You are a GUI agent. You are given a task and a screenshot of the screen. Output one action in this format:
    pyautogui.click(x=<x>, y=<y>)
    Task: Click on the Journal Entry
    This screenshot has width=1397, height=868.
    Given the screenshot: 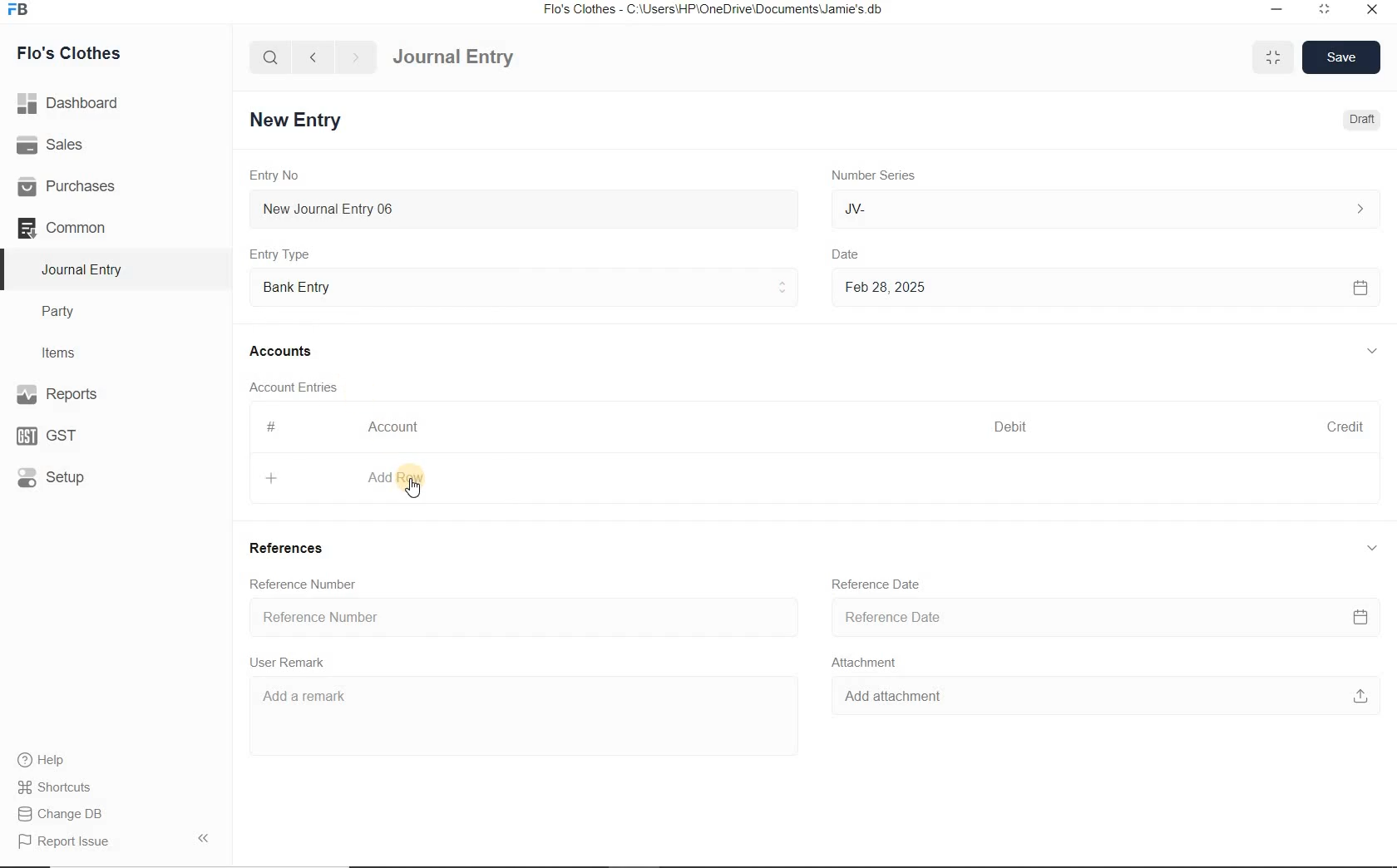 What is the action you would take?
    pyautogui.click(x=483, y=55)
    